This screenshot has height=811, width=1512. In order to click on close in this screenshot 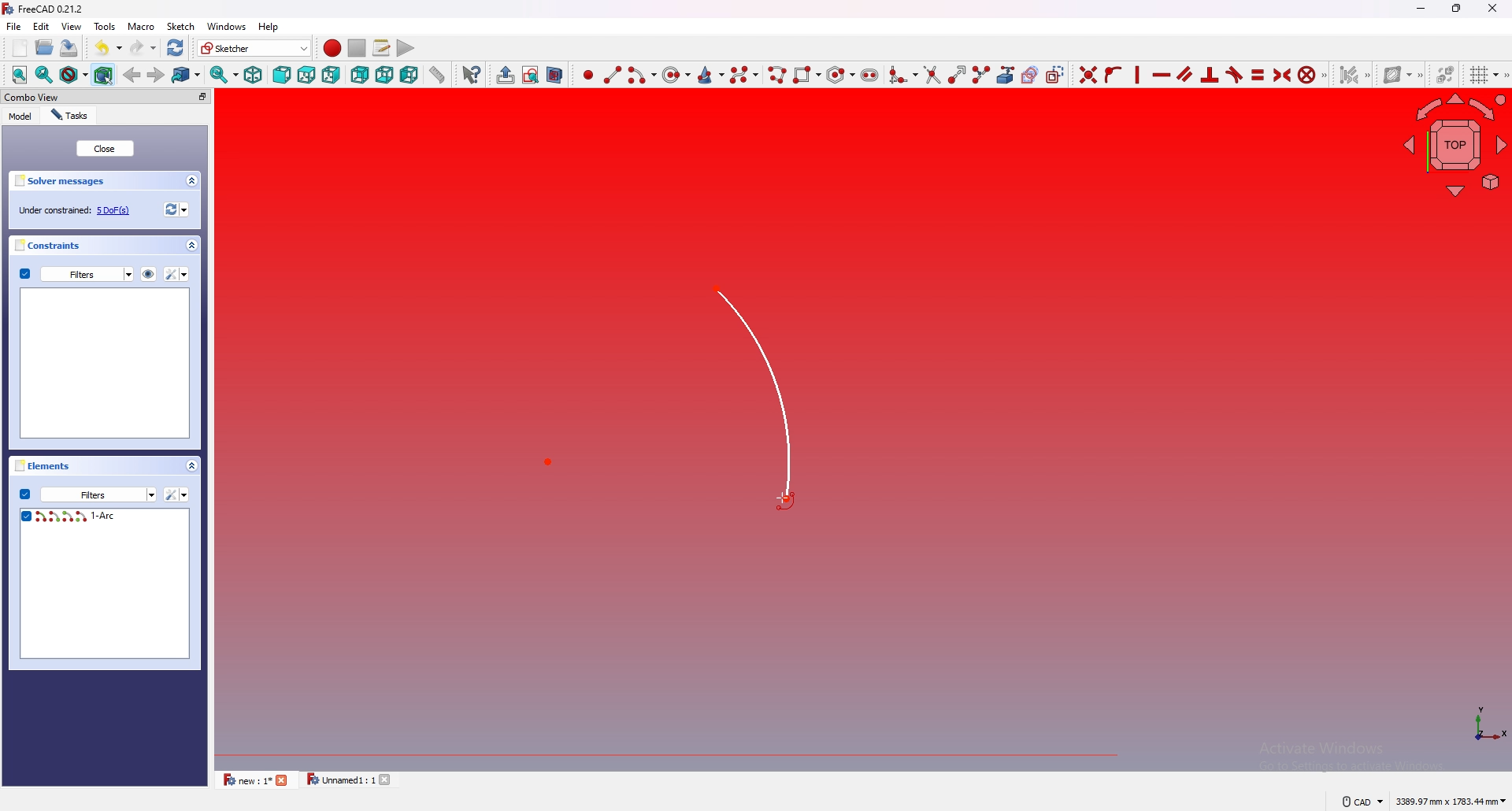, I will do `click(388, 780)`.